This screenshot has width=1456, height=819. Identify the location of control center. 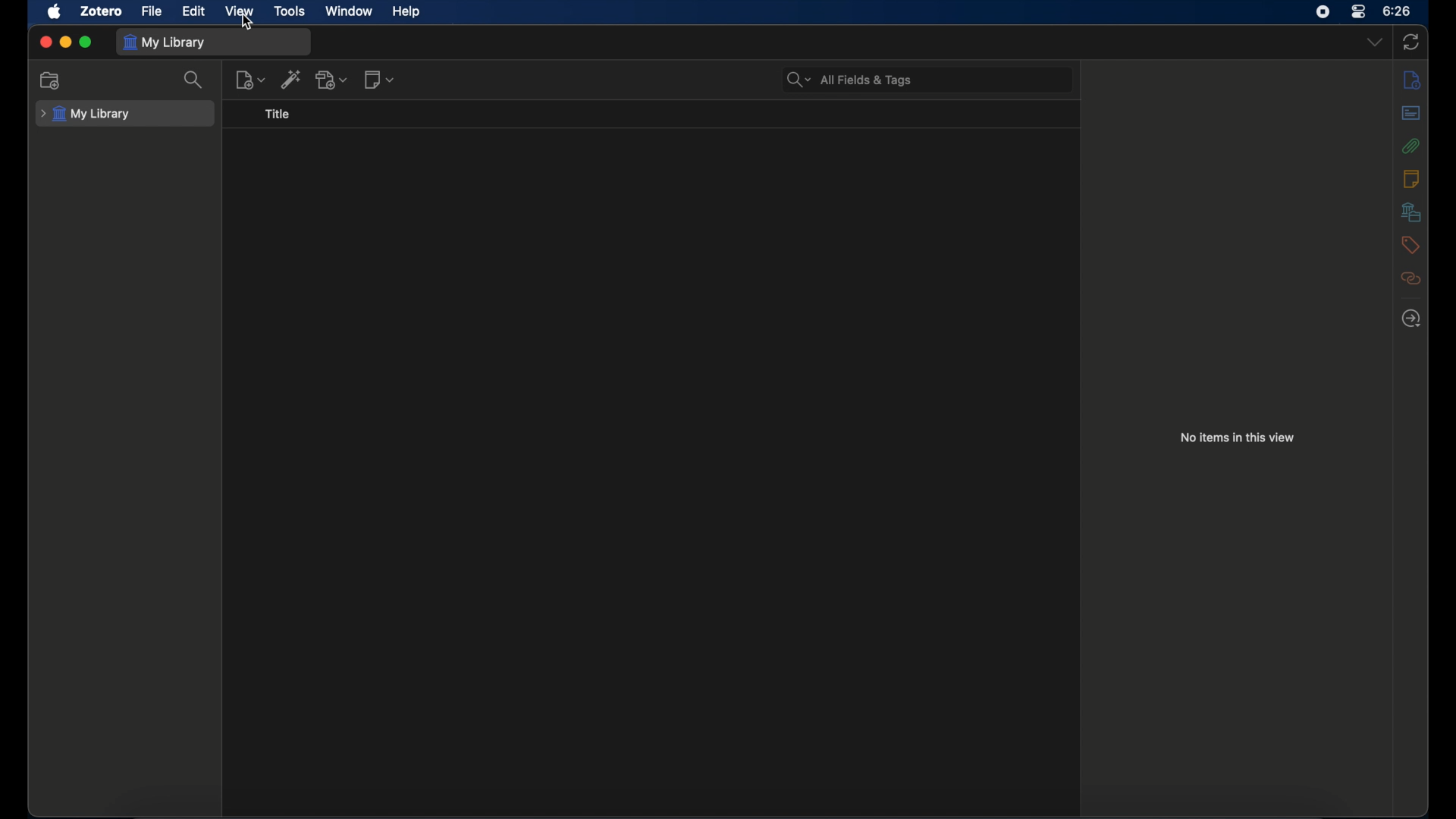
(1359, 11).